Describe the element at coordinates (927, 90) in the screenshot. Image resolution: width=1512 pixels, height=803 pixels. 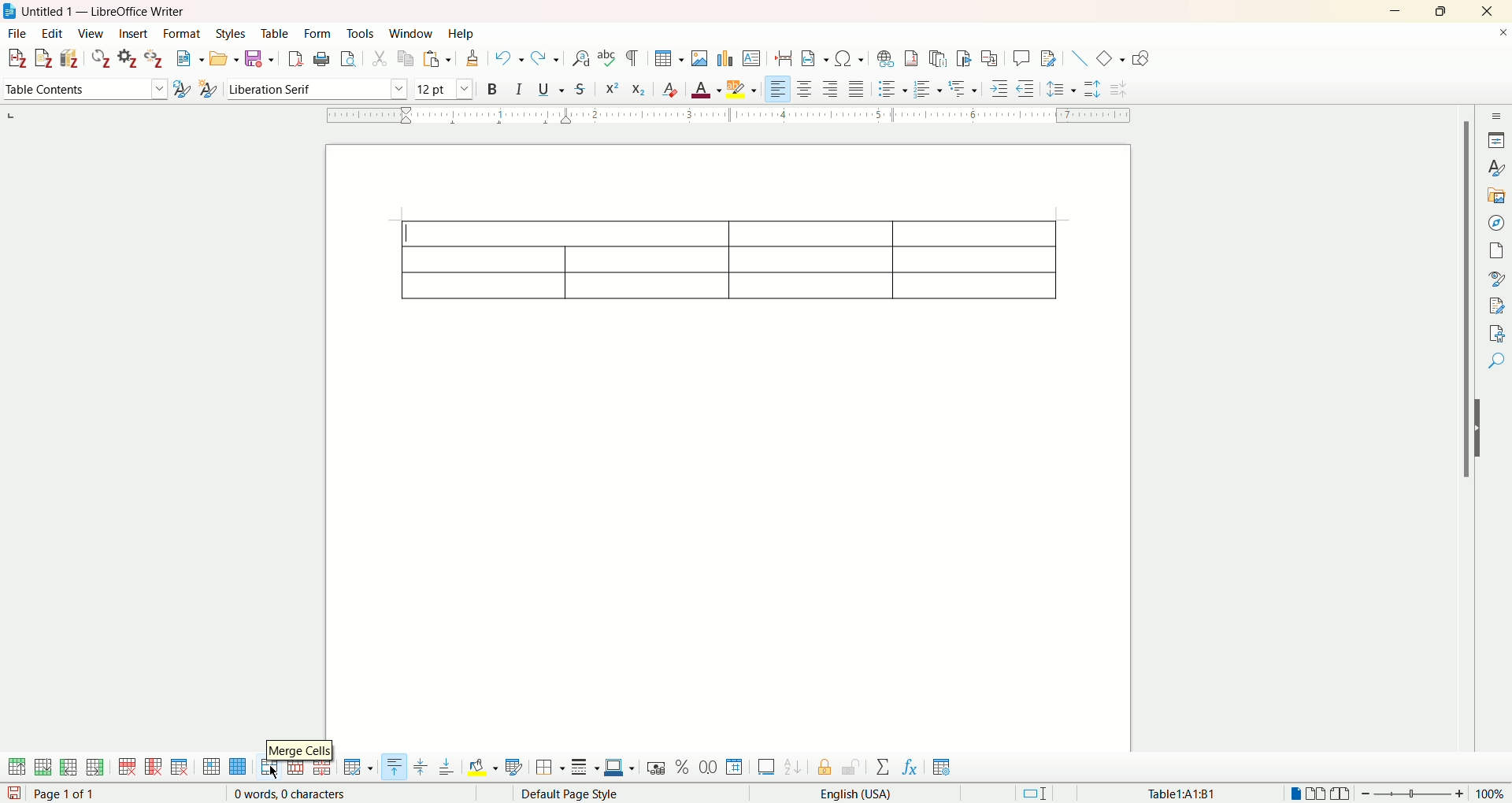
I see `ordered list` at that location.